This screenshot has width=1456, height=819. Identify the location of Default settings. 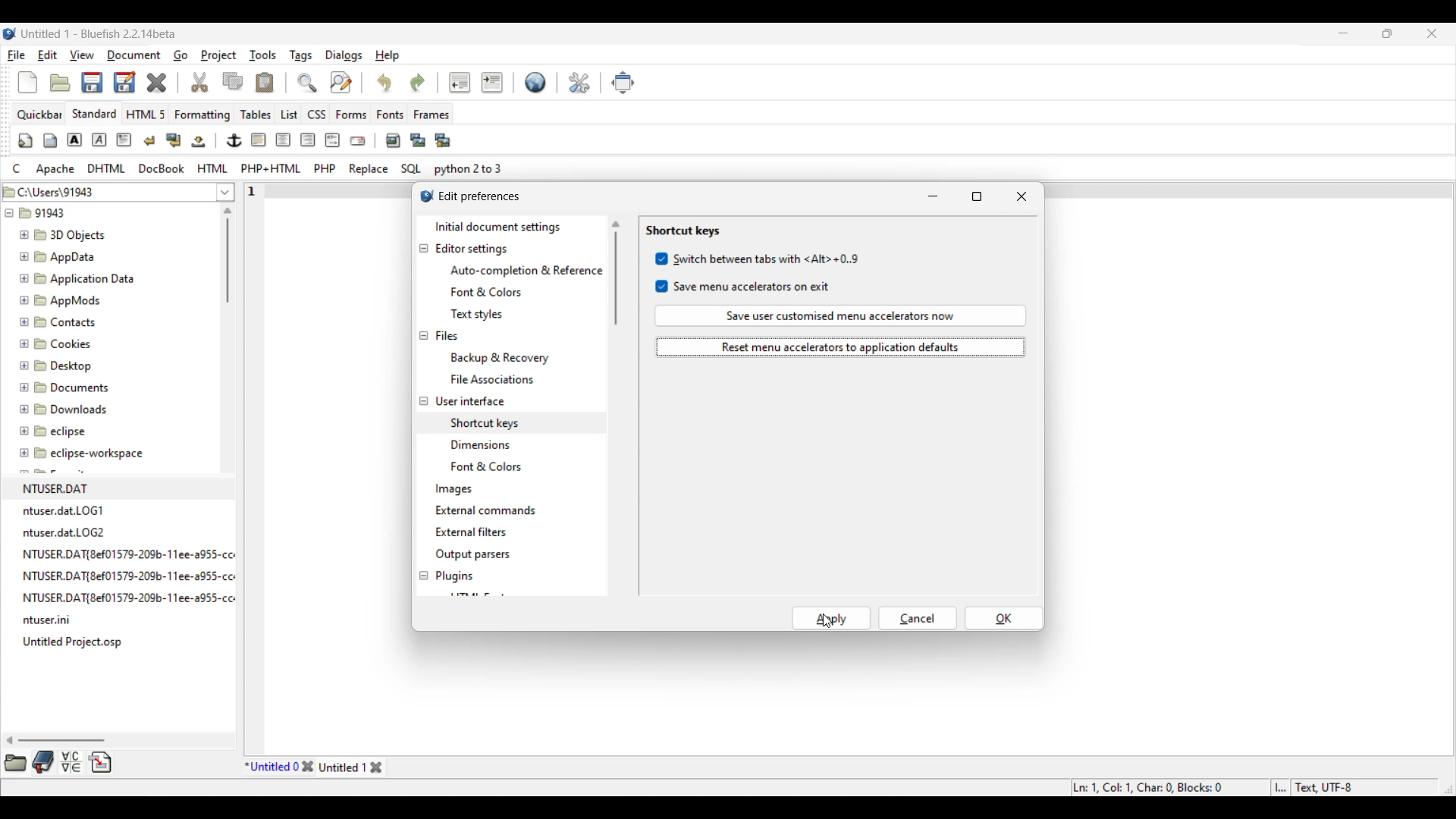
(536, 82).